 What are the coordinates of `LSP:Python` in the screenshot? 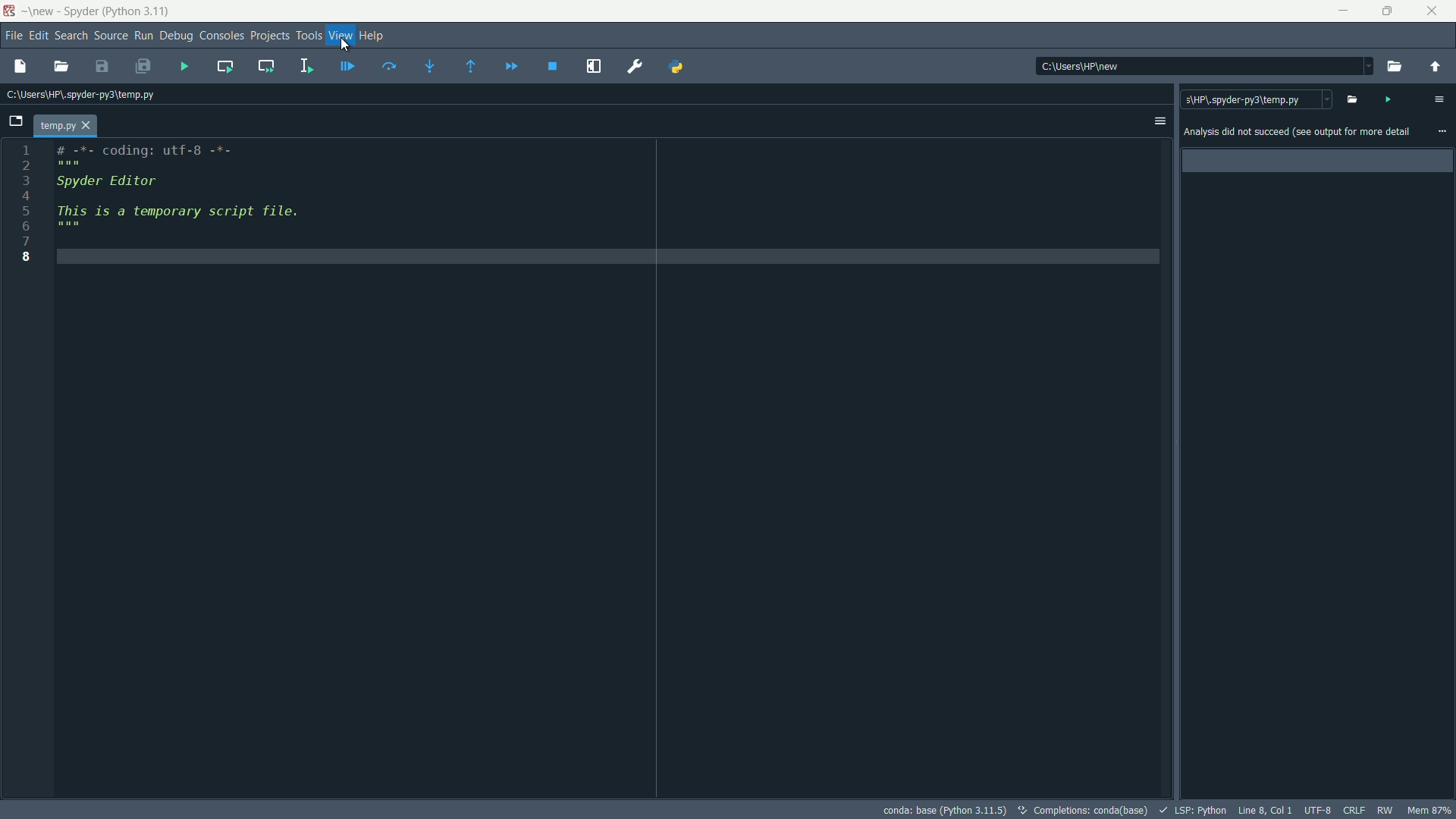 It's located at (1192, 809).